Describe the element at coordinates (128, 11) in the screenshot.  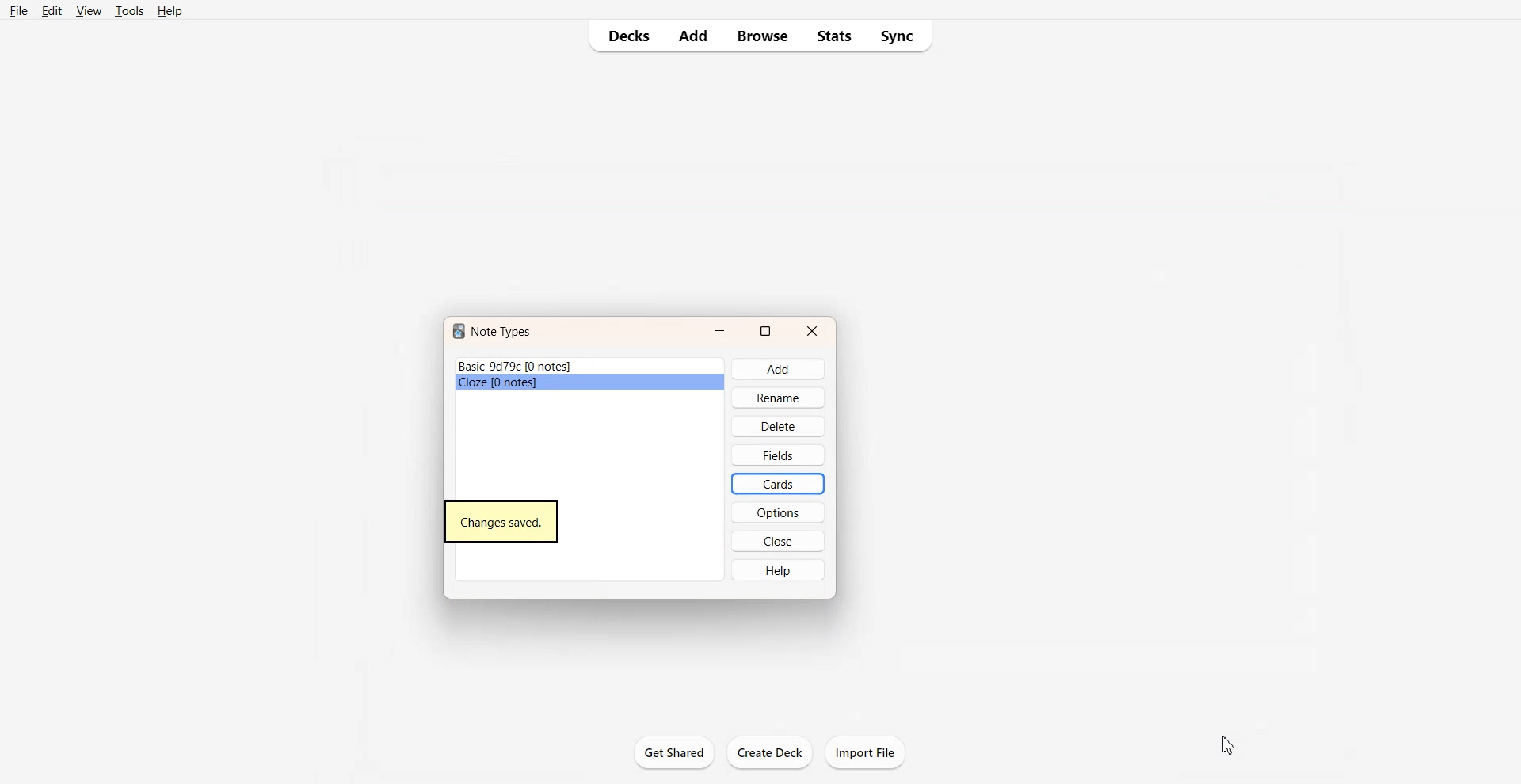
I see `Tools` at that location.